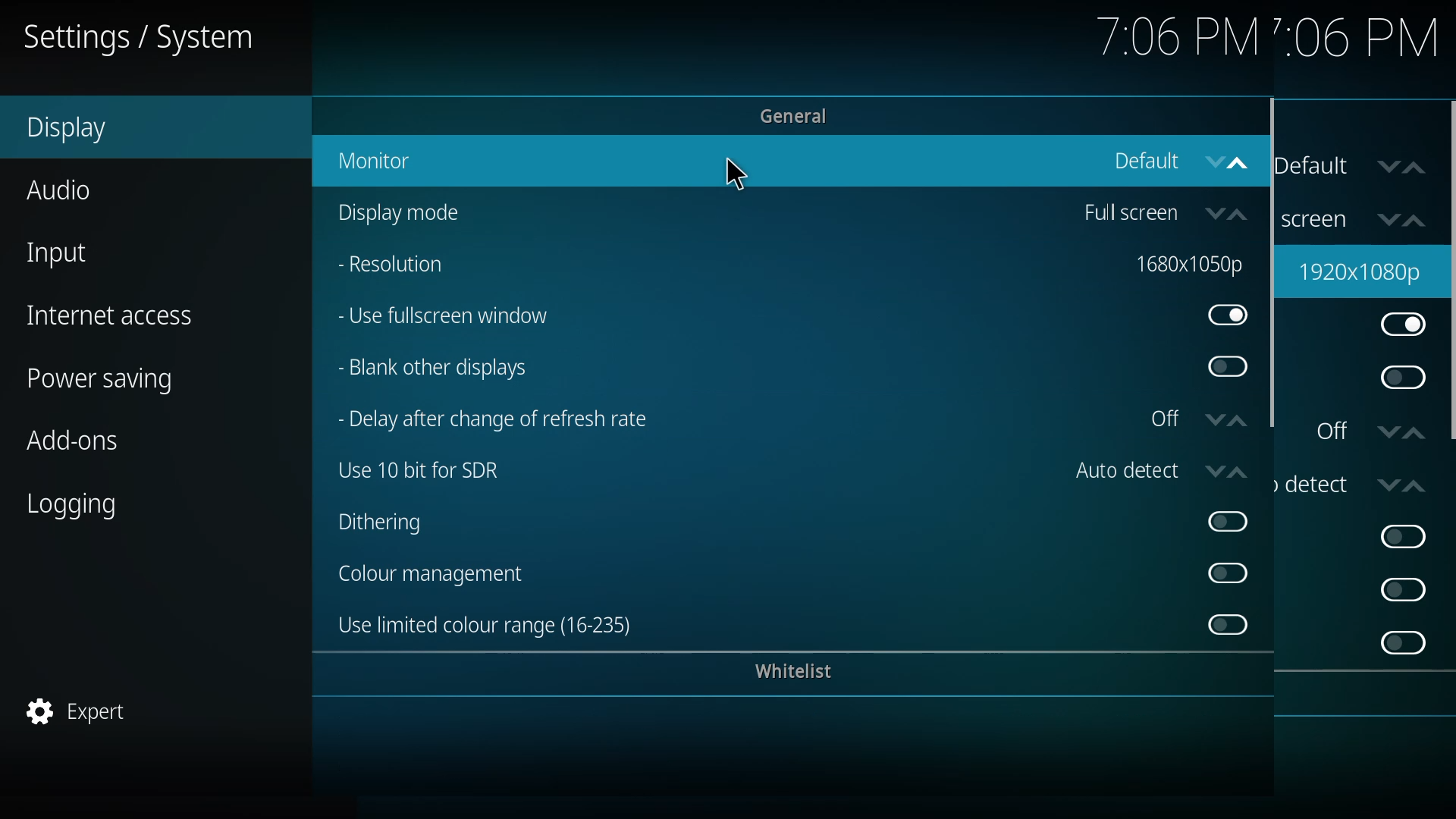 This screenshot has height=819, width=1456. I want to click on expert, so click(99, 711).